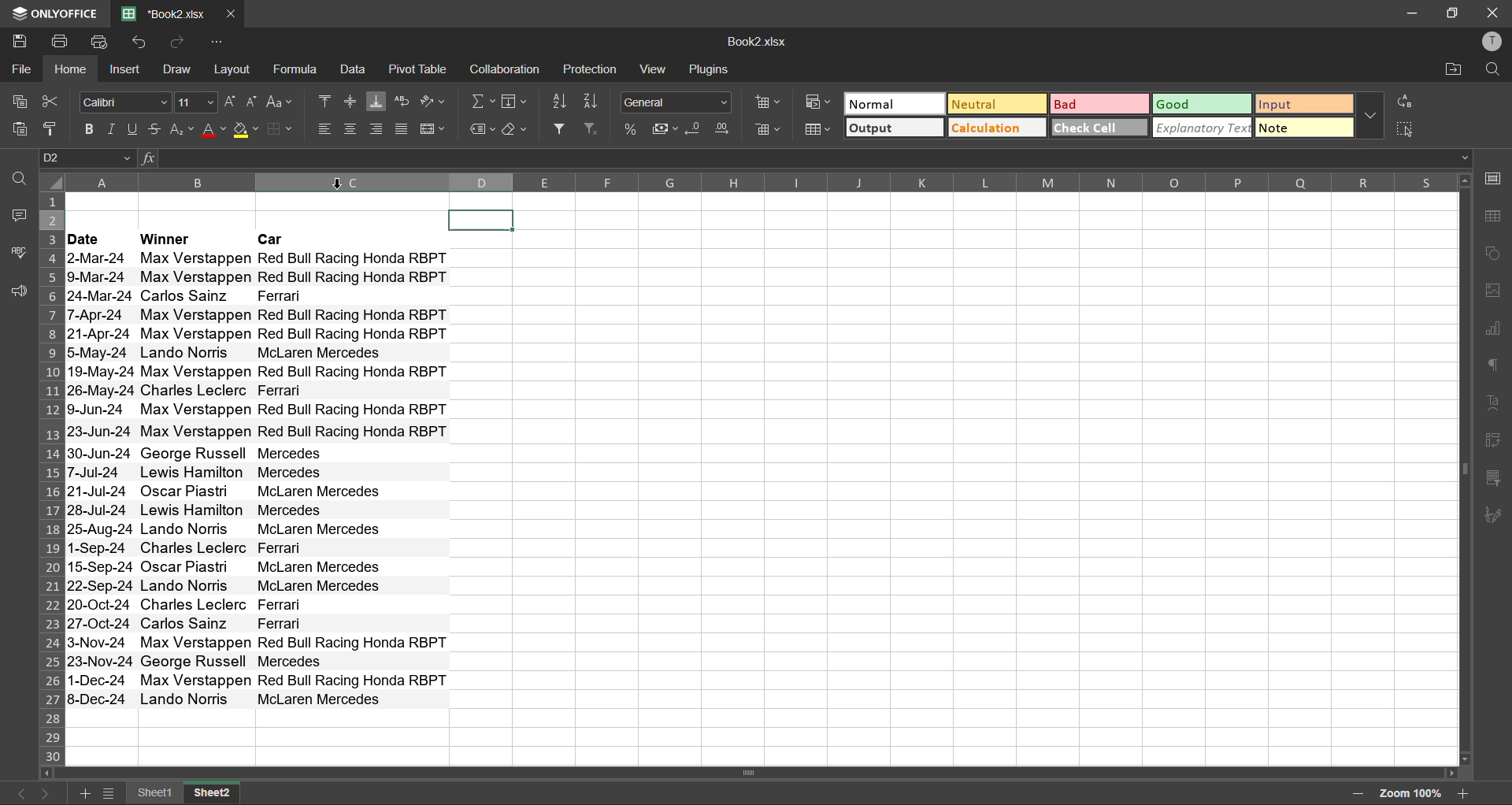 The width and height of the screenshot is (1512, 805). I want to click on Red Bull Racing Honda RBPT
Red Bull Racing Honda RBPT
Ferrari

Red Bull Racing Honda RBPT
Red Bull Racing Honda RBPT
McLaren Mercedes

Red Bull Racing Honda RBPT
Ferrari

Red Bull Racing Honda RBPT
Red Bull Racing Honda RBPT
Mercedes

Mercedes

McLaren Mercedes

Mercedes

McLaren Mercedes

Ferrari

McLaren Mercedes

McLaren Mercedes

Ferrari

Ferrari

Red Bull Racing Honda RBPT
Mercedes

Red Bull Racing Honda RBPT
McLaren Mercedes, so click(358, 480).